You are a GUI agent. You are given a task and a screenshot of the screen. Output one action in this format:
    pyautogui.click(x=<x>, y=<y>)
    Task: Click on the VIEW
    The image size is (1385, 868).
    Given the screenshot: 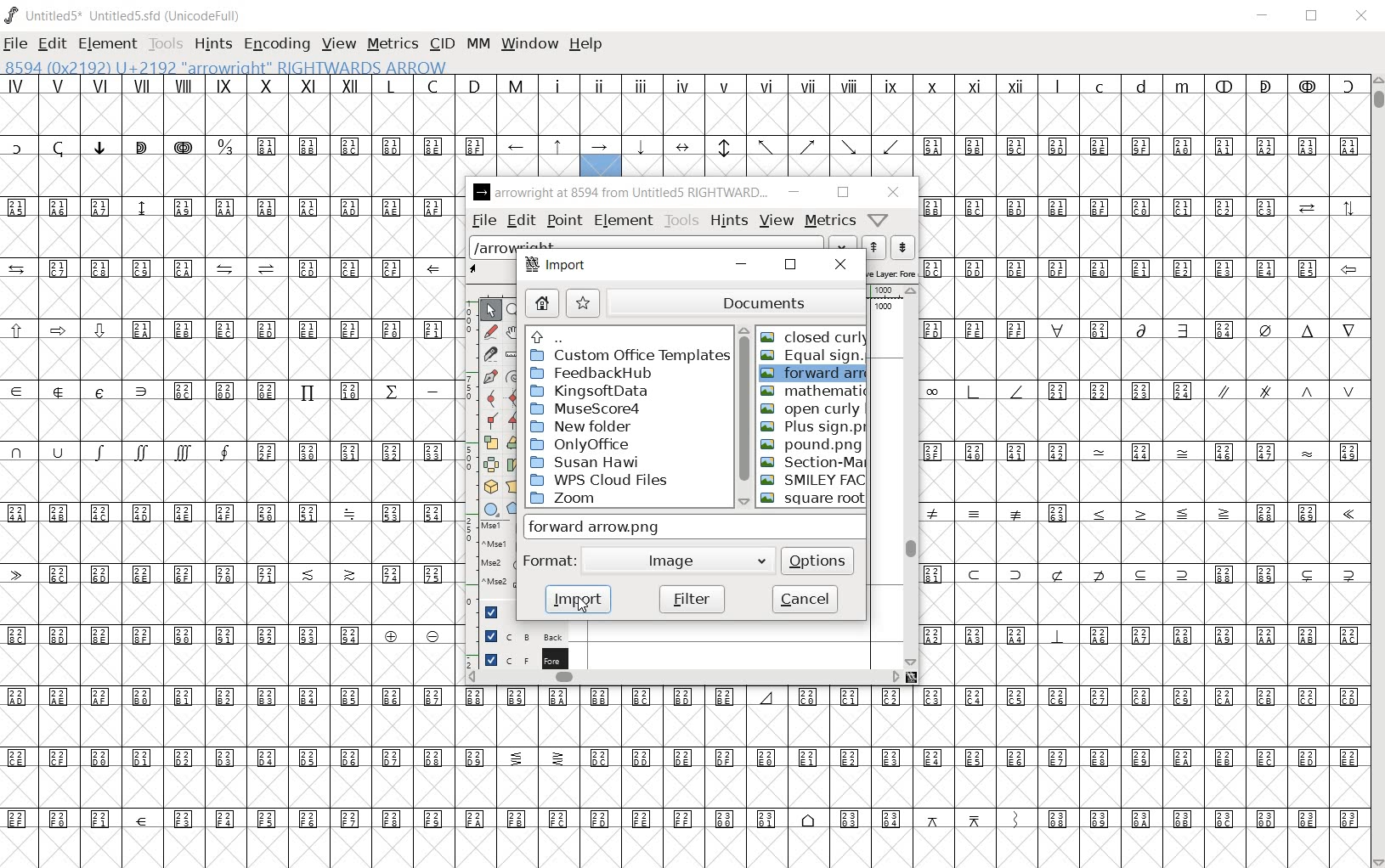 What is the action you would take?
    pyautogui.click(x=337, y=44)
    